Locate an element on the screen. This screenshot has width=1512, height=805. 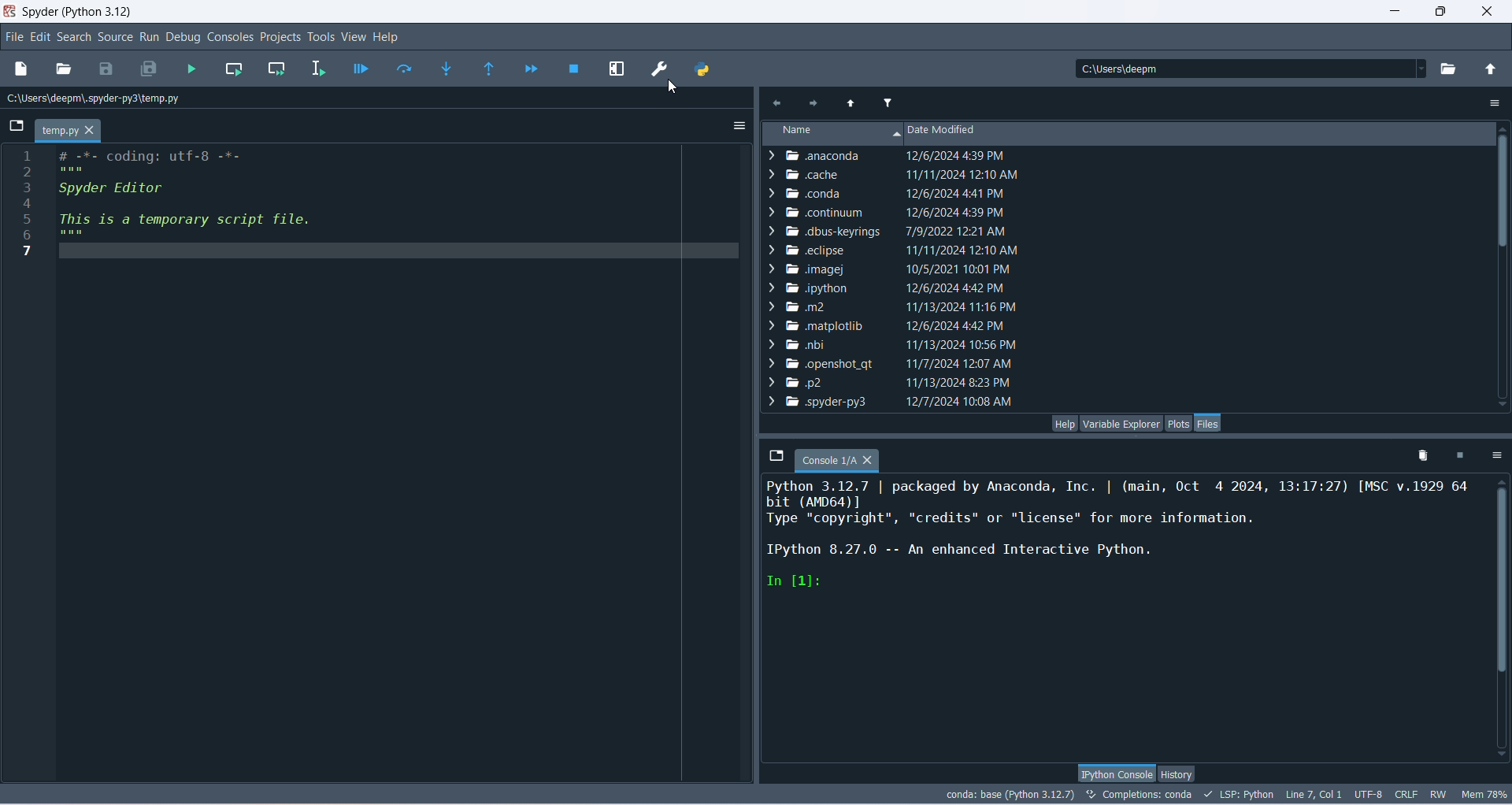
step into function is located at coordinates (448, 69).